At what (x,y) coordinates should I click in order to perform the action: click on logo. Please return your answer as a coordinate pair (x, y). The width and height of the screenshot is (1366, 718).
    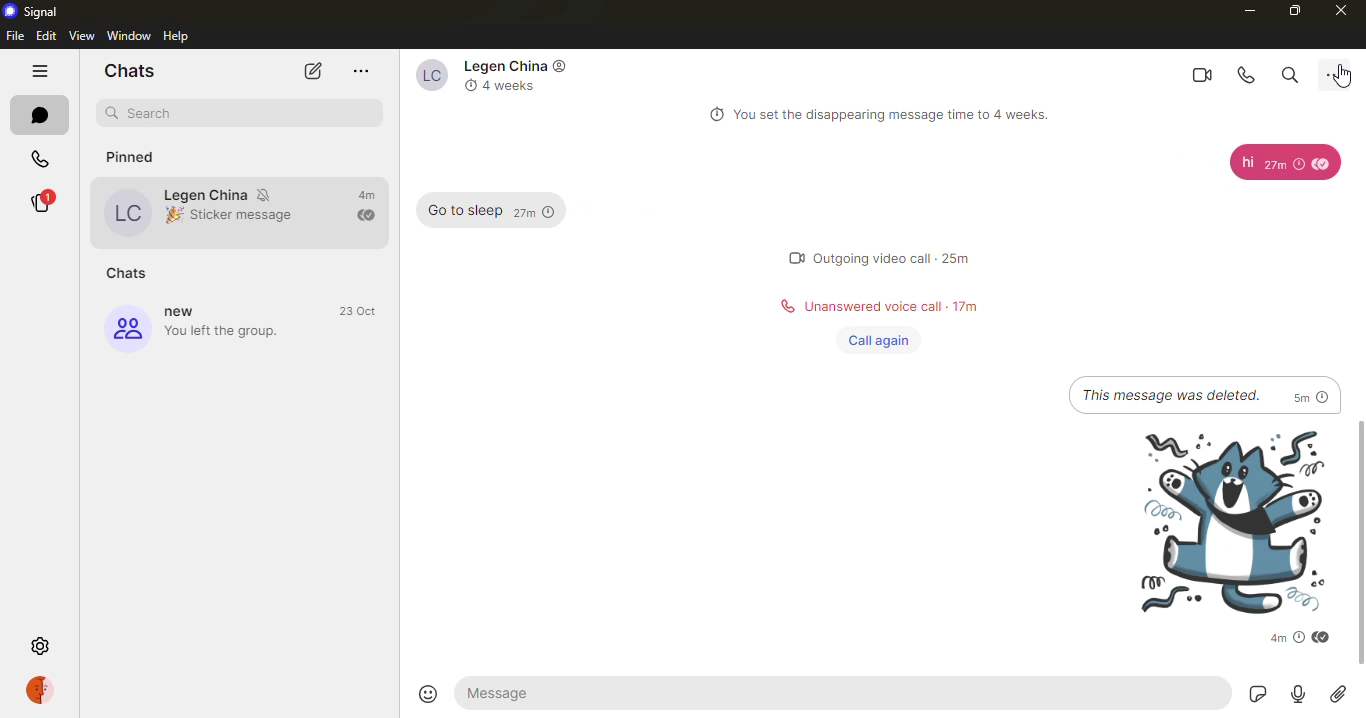
    Looking at the image, I should click on (561, 65).